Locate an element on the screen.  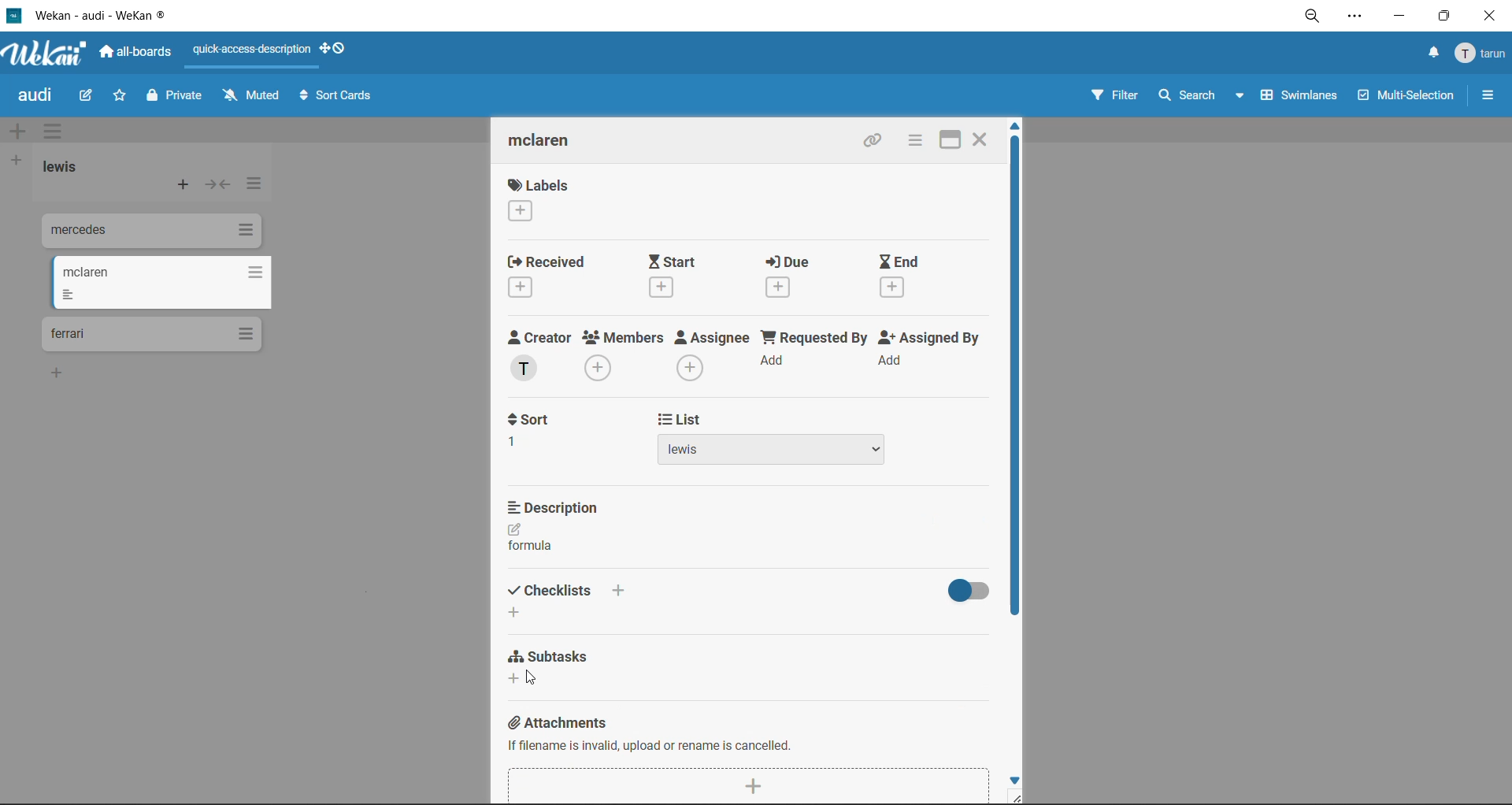
muted is located at coordinates (254, 95).